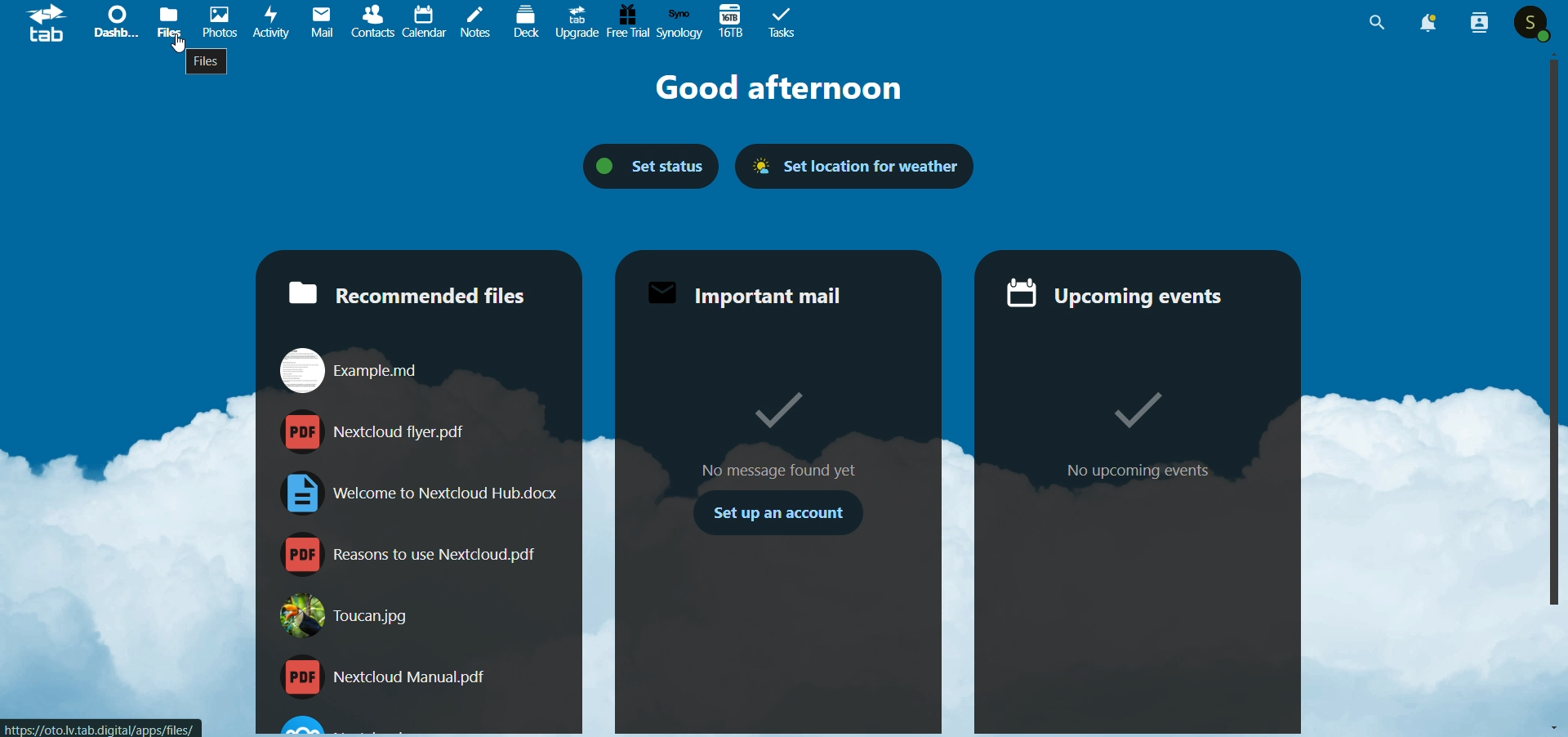  Describe the element at coordinates (786, 431) in the screenshot. I see `no message found yet` at that location.